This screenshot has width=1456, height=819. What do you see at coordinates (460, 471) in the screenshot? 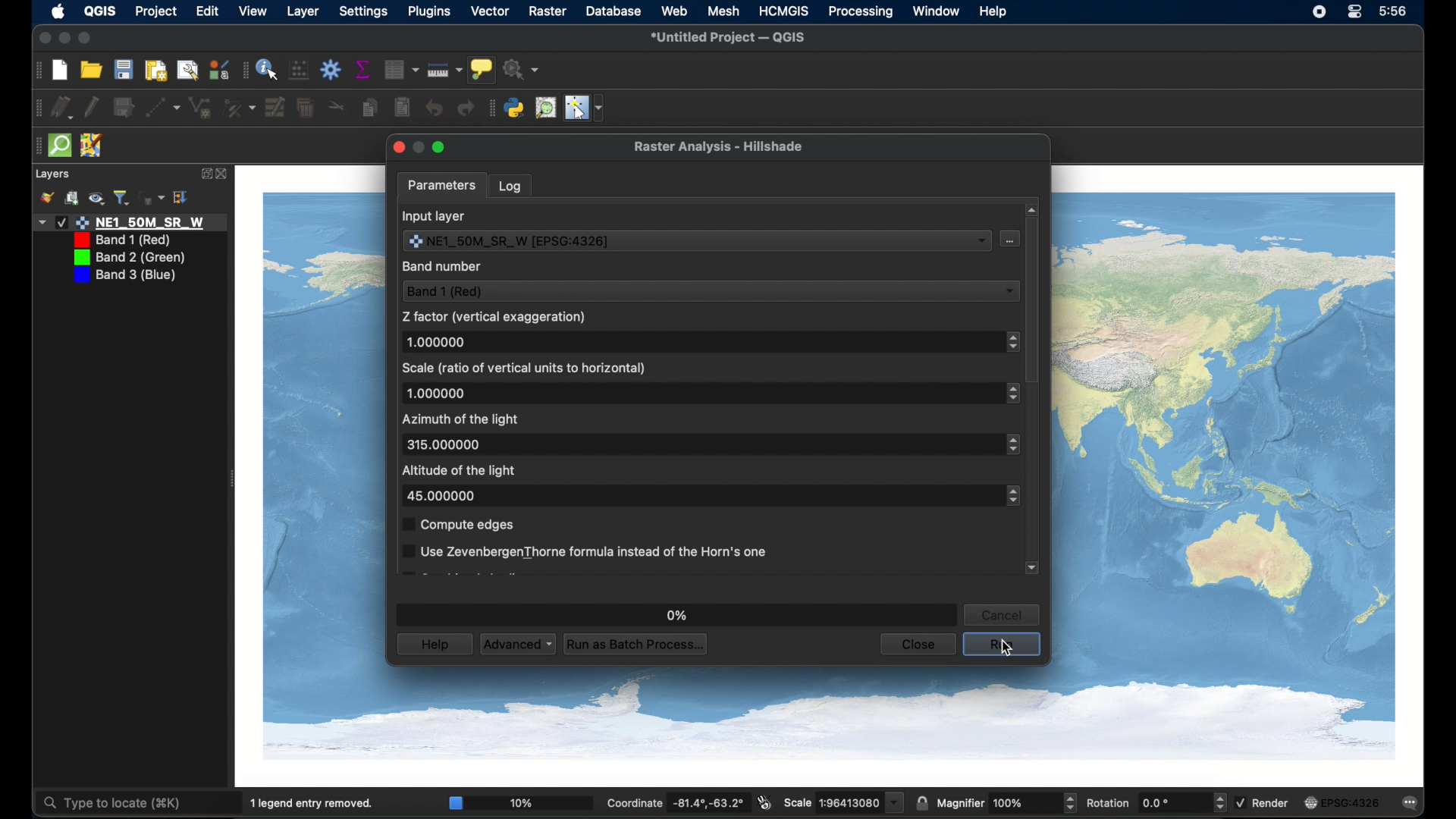
I see `altitude of the light` at bounding box center [460, 471].